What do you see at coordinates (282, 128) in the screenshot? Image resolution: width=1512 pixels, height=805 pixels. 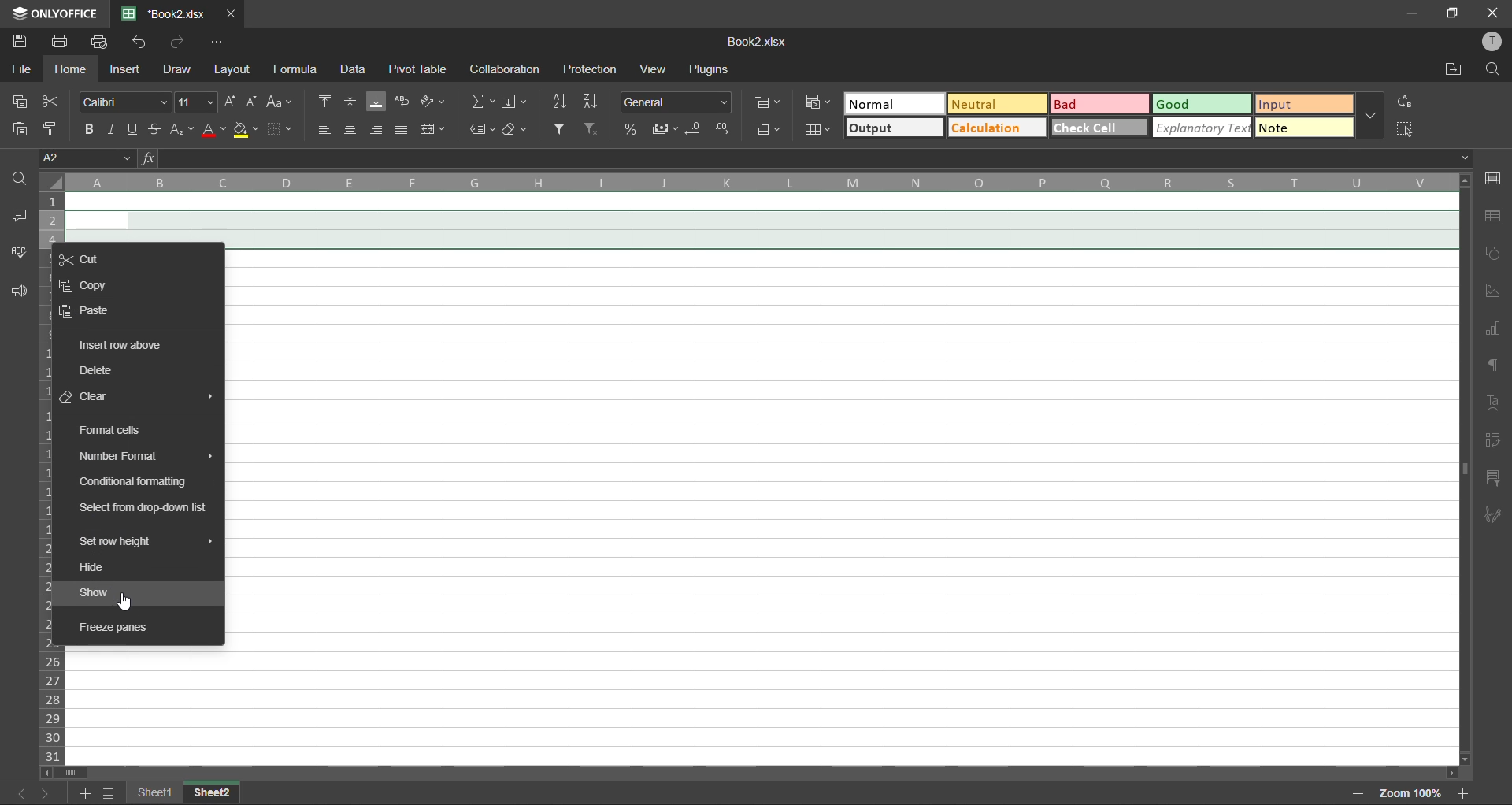 I see `borders` at bounding box center [282, 128].